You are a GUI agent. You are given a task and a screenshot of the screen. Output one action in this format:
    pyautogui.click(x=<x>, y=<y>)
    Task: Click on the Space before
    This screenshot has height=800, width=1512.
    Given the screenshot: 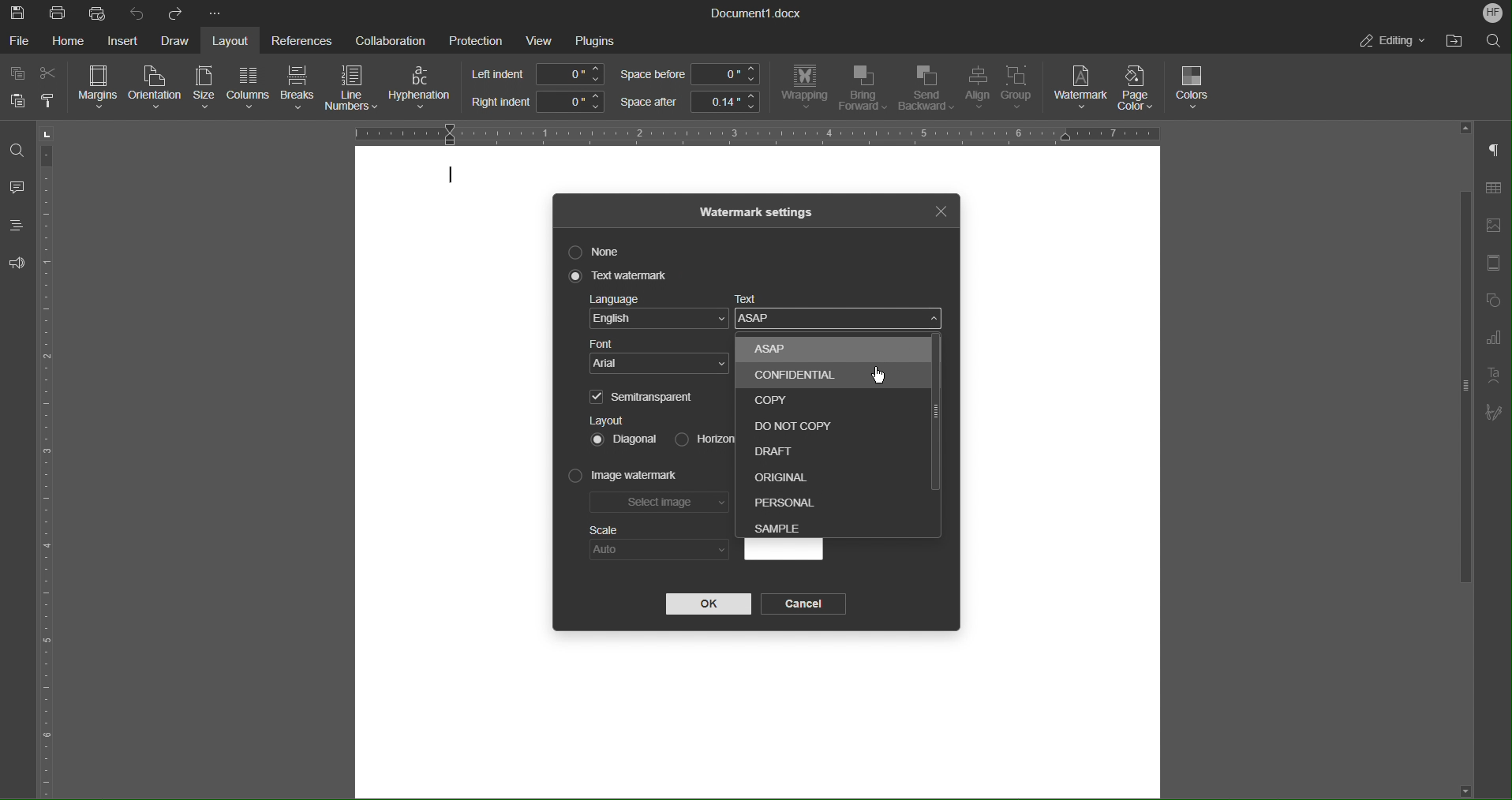 What is the action you would take?
    pyautogui.click(x=689, y=75)
    